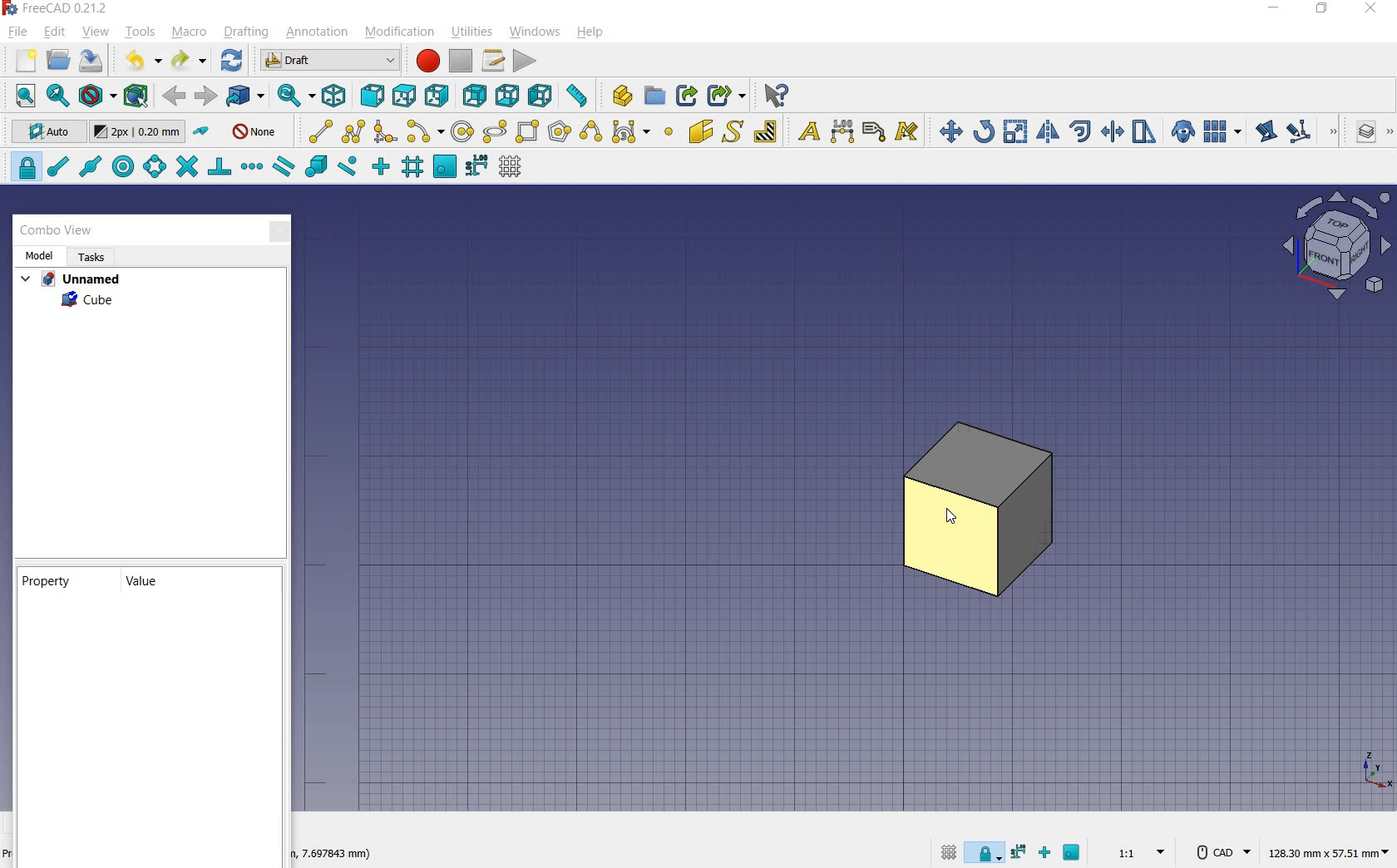 The width and height of the screenshot is (1397, 868). Describe the element at coordinates (687, 95) in the screenshot. I see `make link` at that location.